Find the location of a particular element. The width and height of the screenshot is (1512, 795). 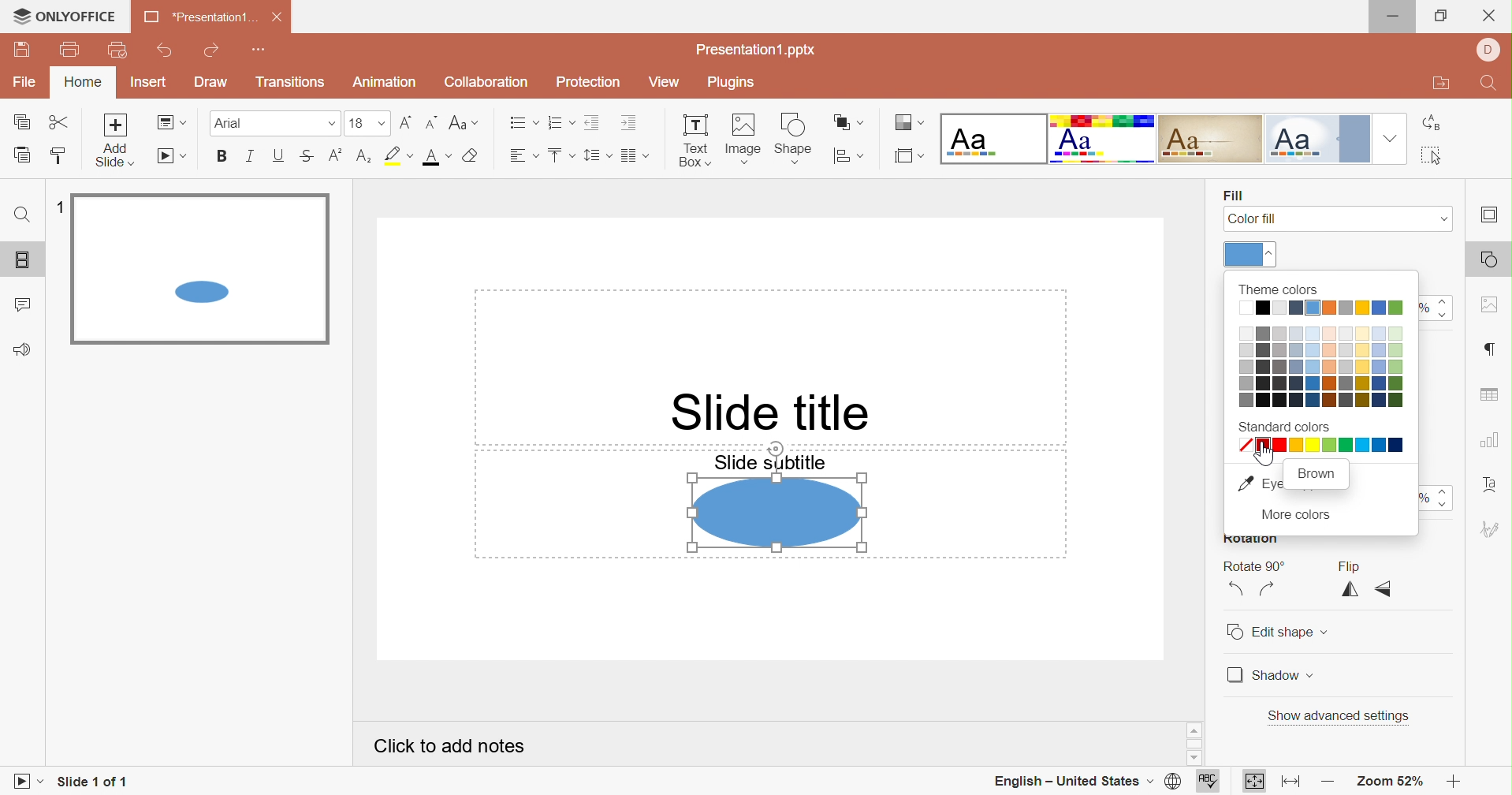

Zoom 52% is located at coordinates (1391, 782).